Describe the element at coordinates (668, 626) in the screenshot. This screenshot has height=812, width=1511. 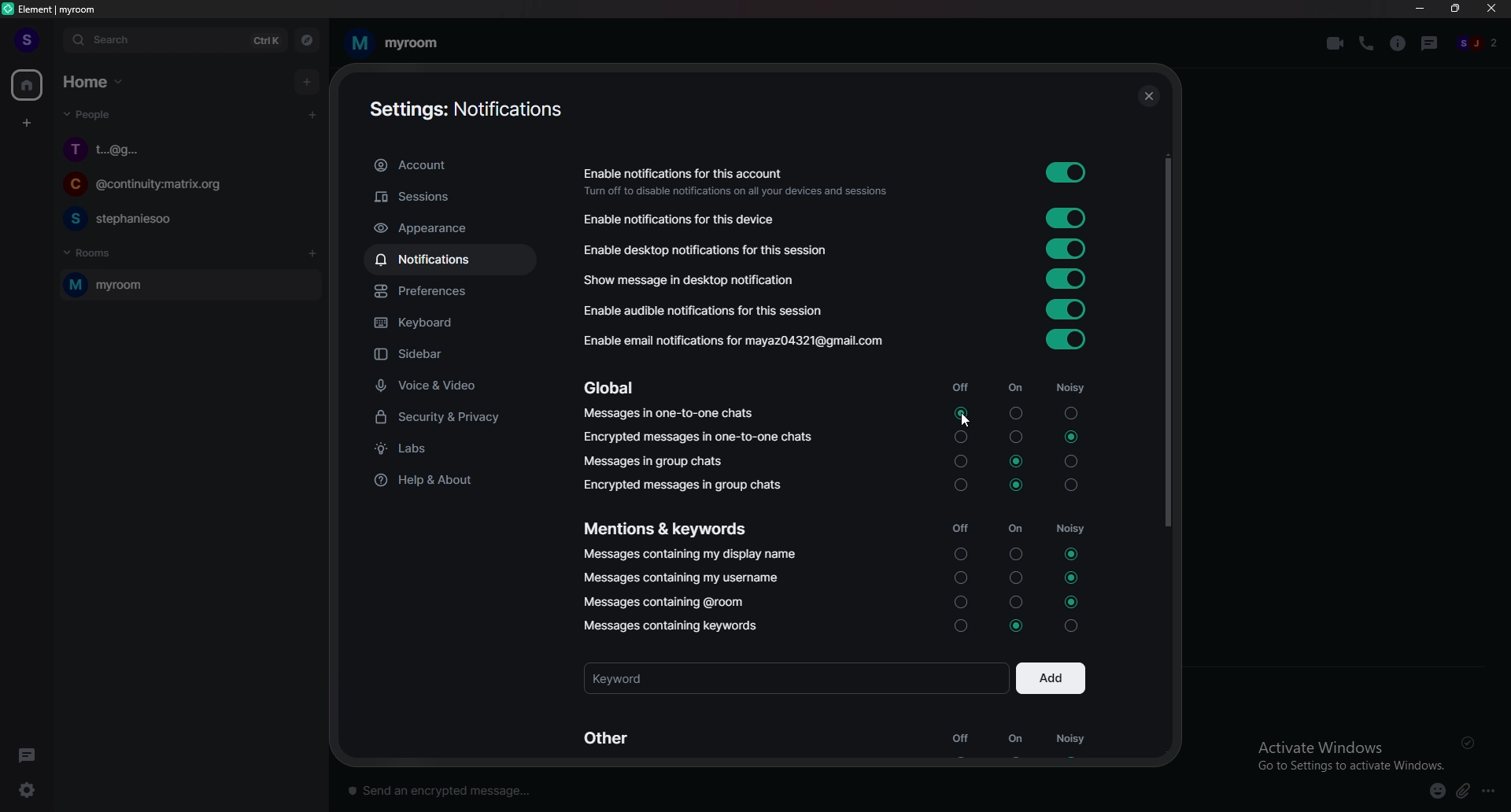
I see `messages containing keywords` at that location.